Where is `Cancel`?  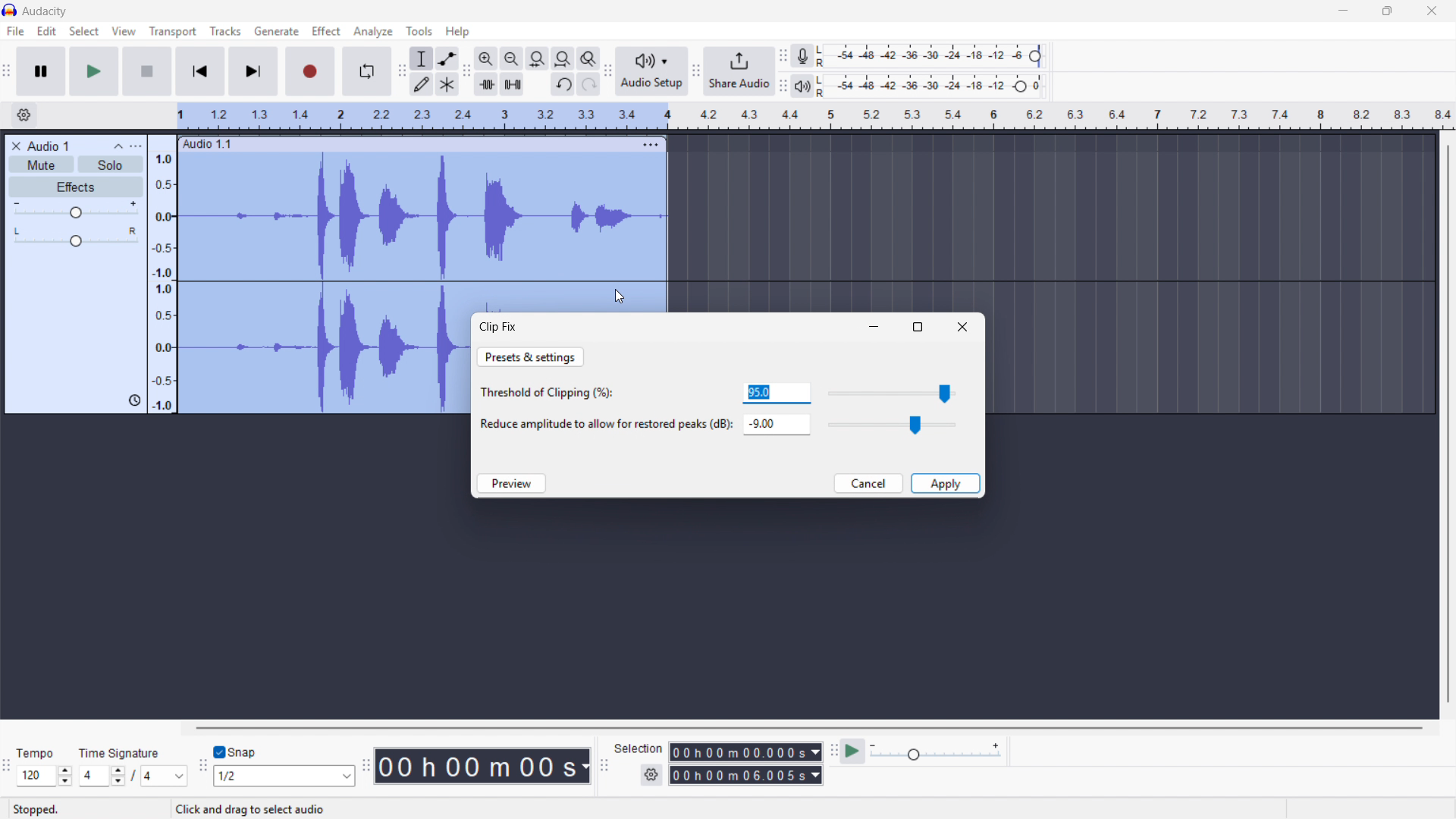
Cancel is located at coordinates (868, 483).